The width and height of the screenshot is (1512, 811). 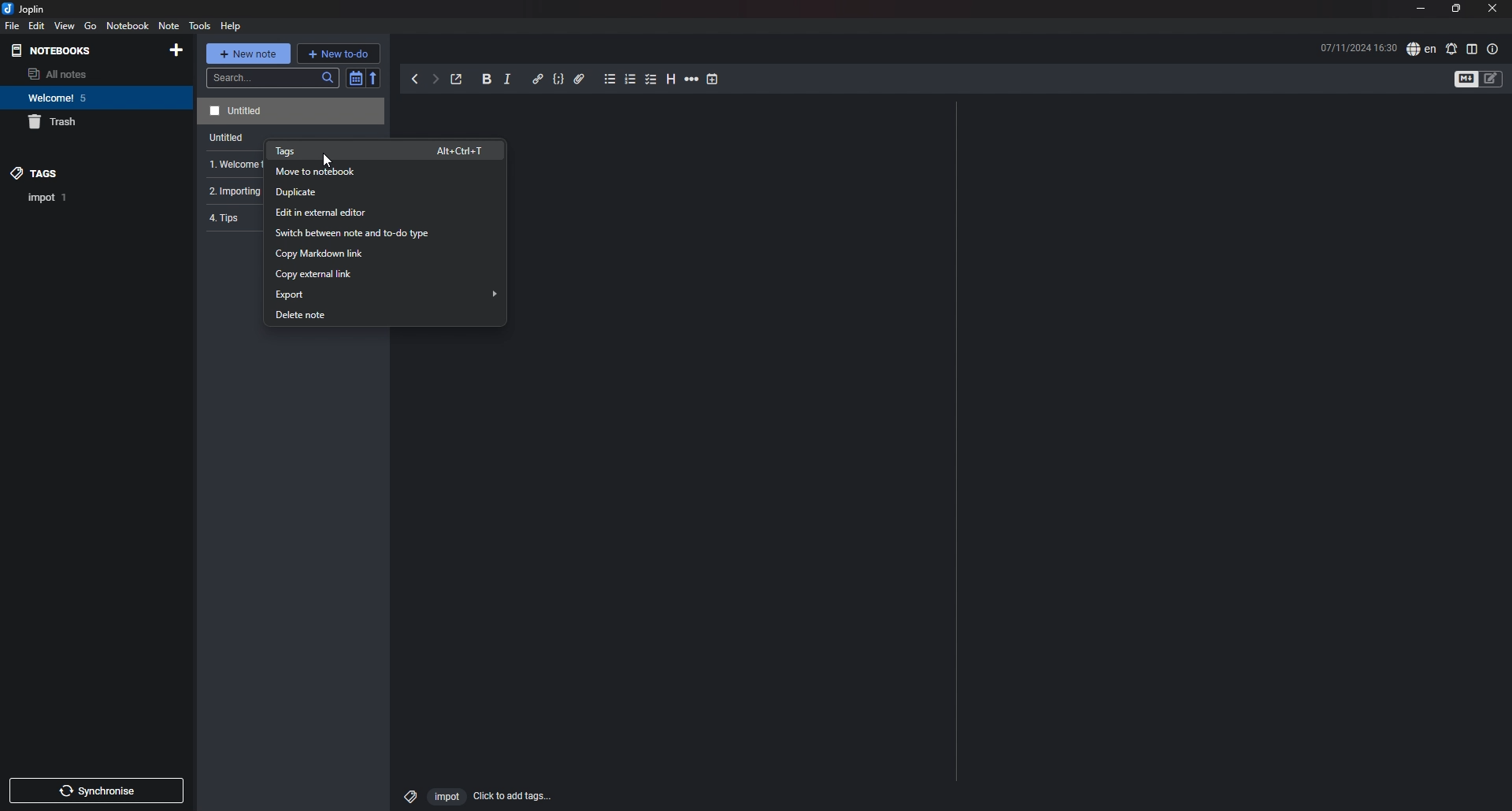 What do you see at coordinates (651, 80) in the screenshot?
I see `checkbox` at bounding box center [651, 80].